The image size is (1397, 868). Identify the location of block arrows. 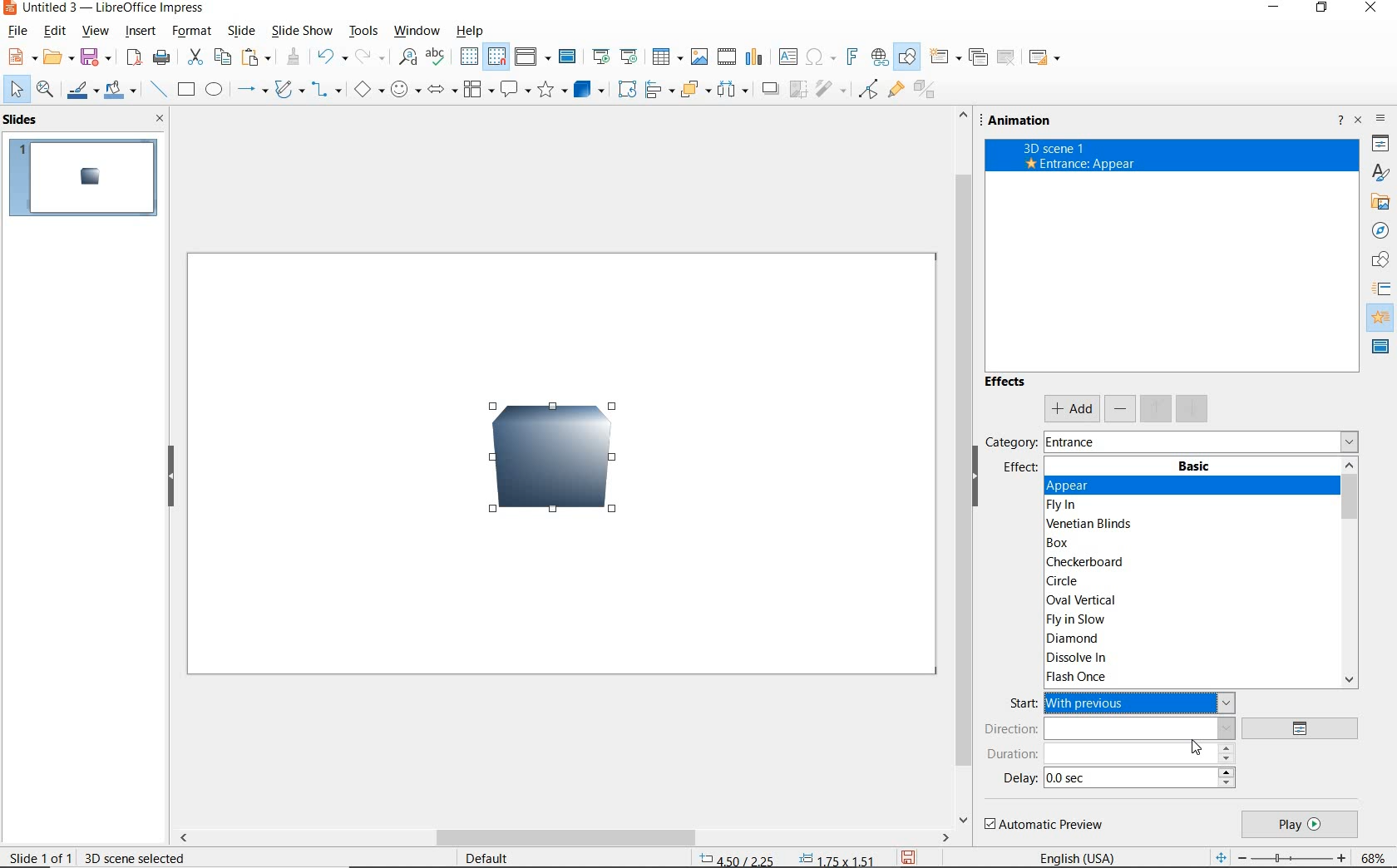
(439, 92).